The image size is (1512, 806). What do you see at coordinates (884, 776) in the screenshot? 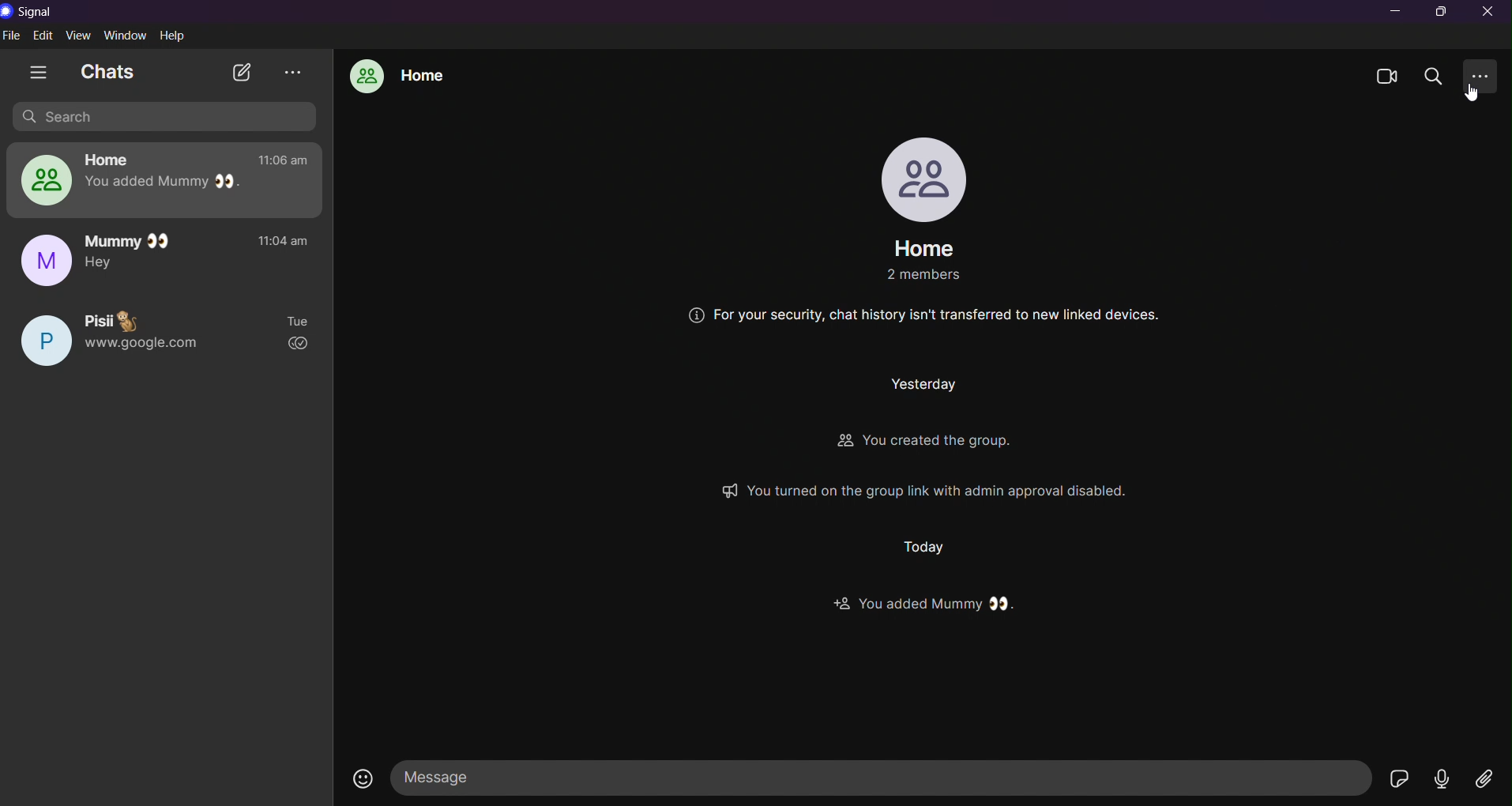
I see `message` at bounding box center [884, 776].